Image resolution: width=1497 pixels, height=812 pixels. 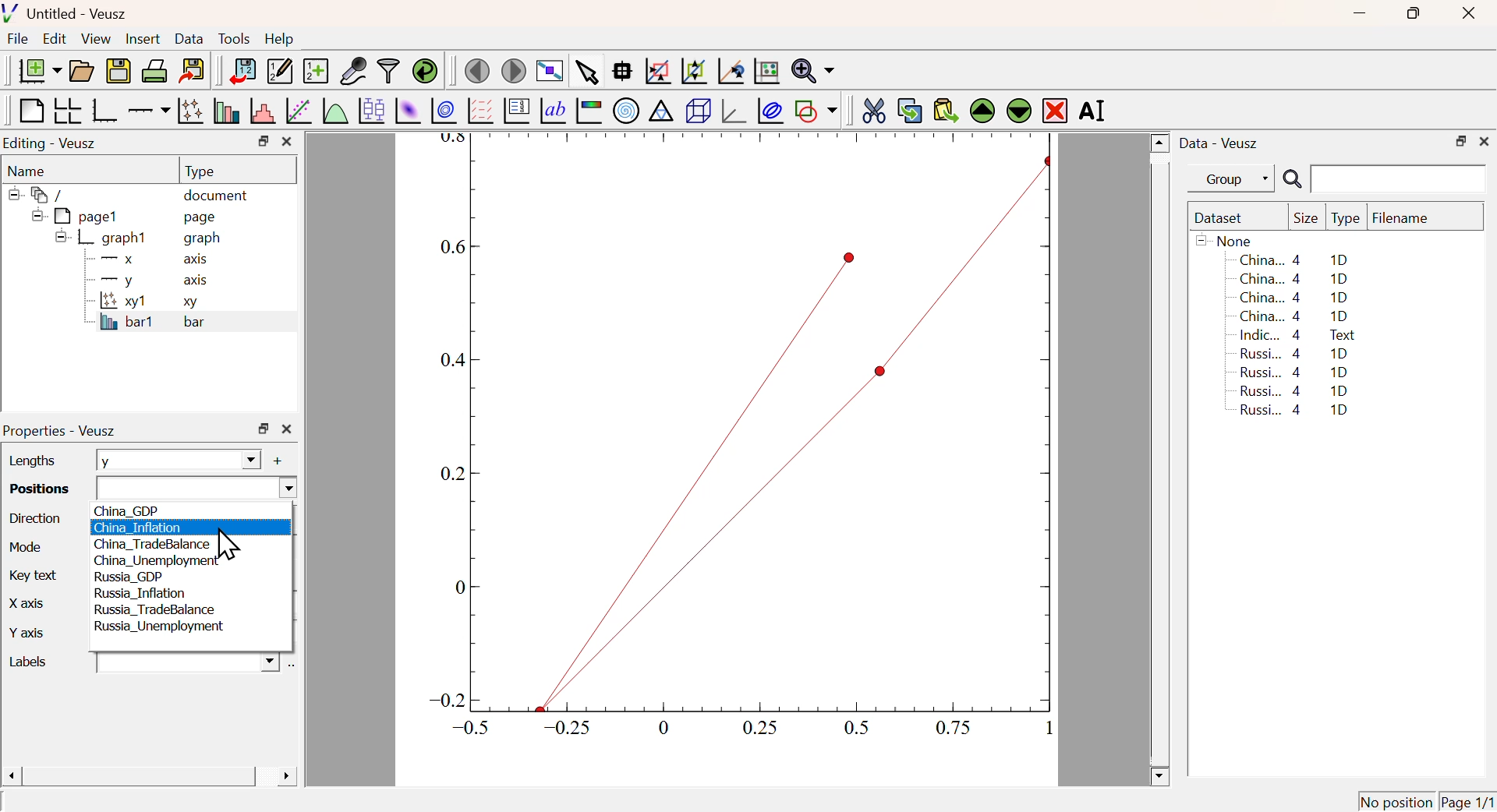 I want to click on Minimize, so click(x=1360, y=14).